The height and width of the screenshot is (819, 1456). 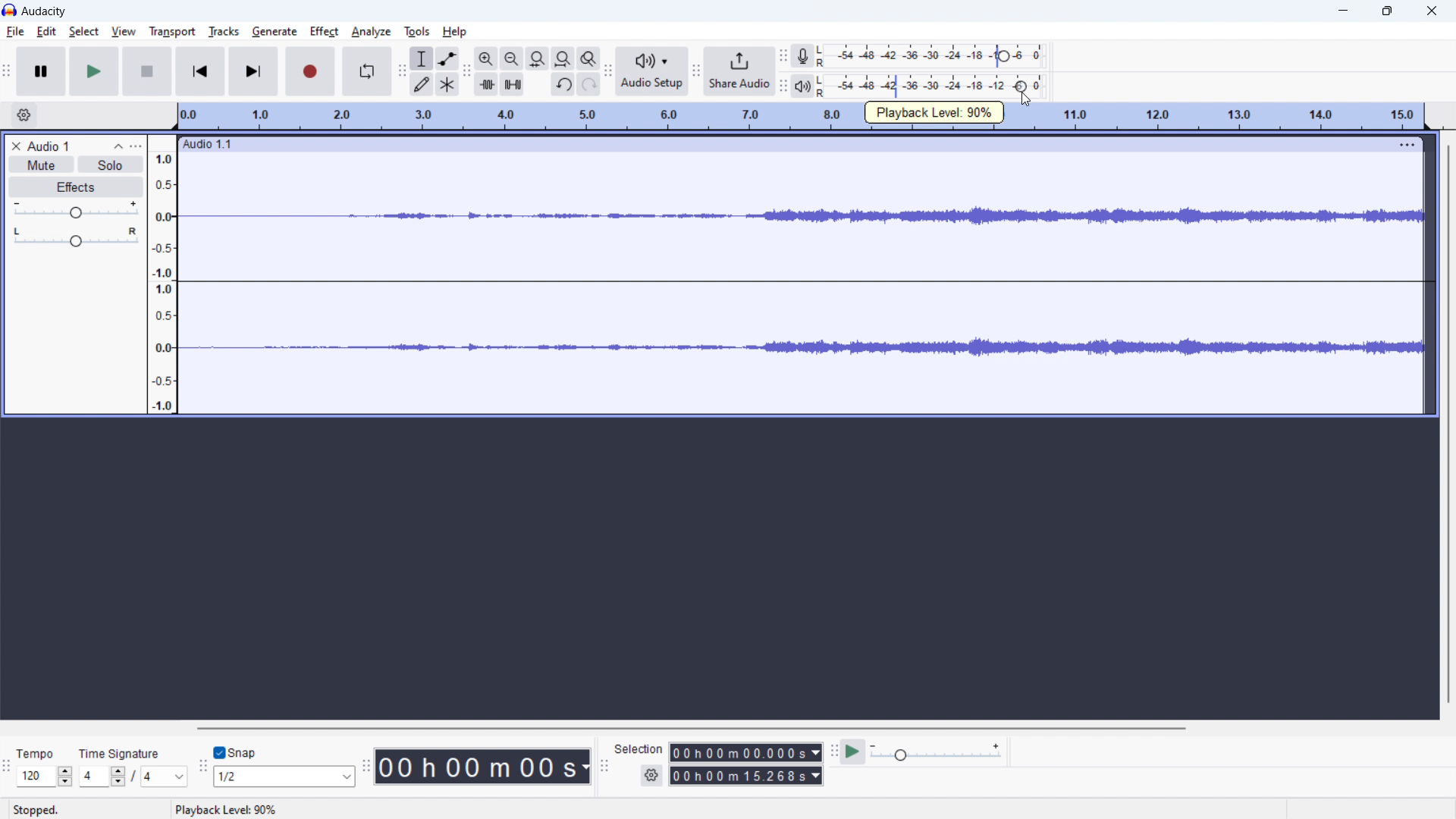 I want to click on Stopped, so click(x=35, y=810).